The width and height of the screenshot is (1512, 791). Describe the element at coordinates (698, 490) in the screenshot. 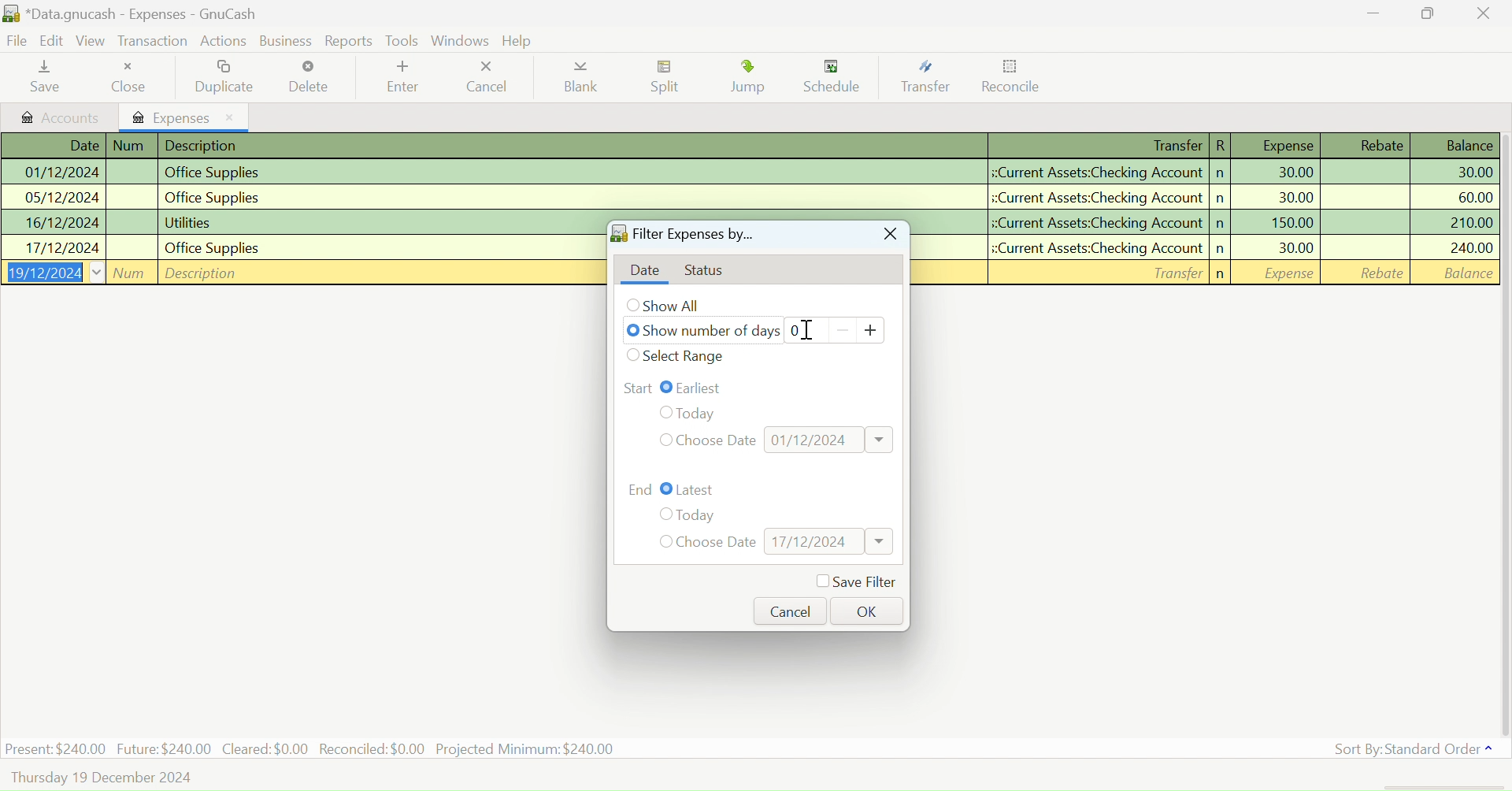

I see `Latest` at that location.